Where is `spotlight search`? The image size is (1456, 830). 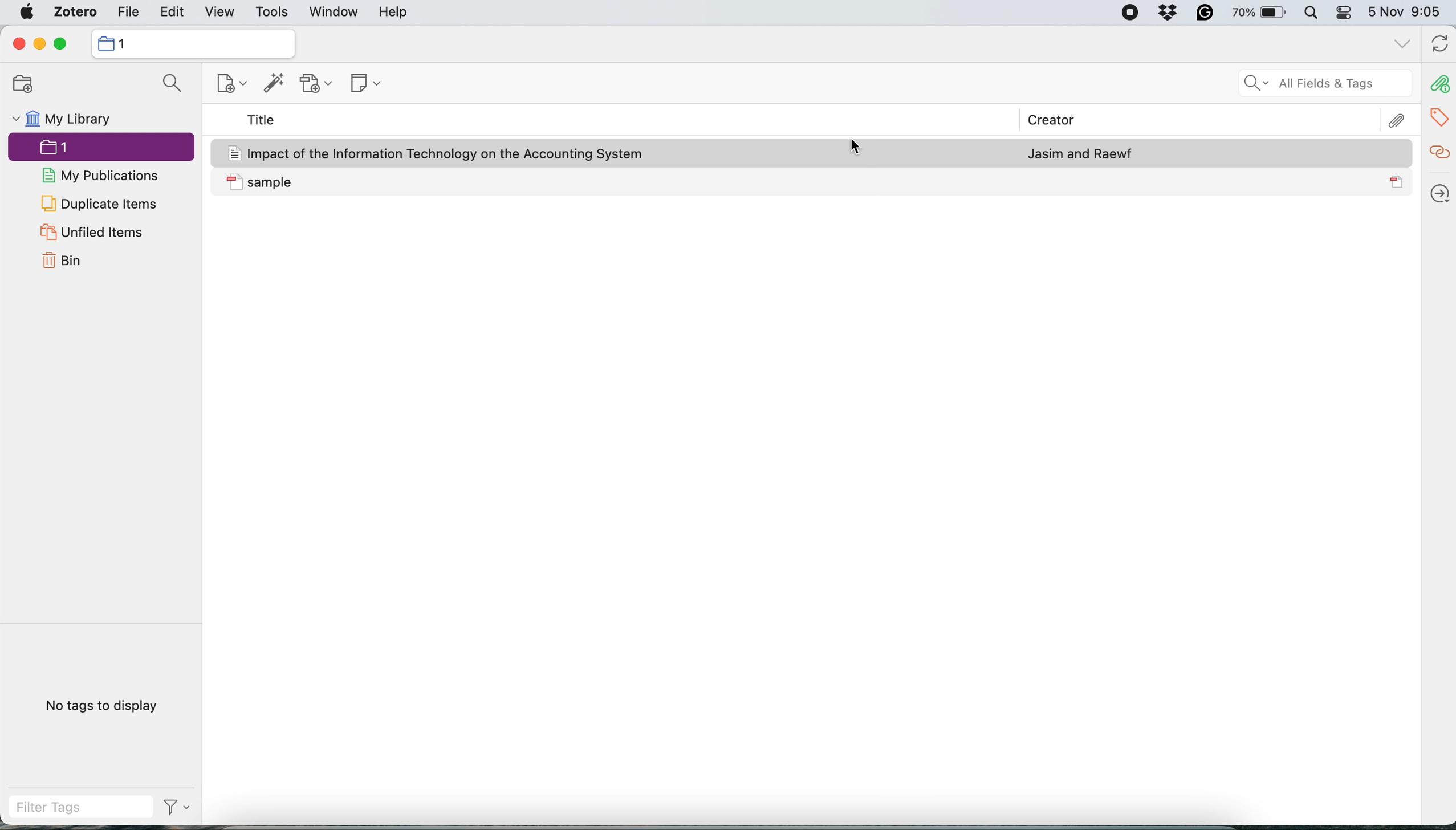
spotlight search is located at coordinates (1311, 14).